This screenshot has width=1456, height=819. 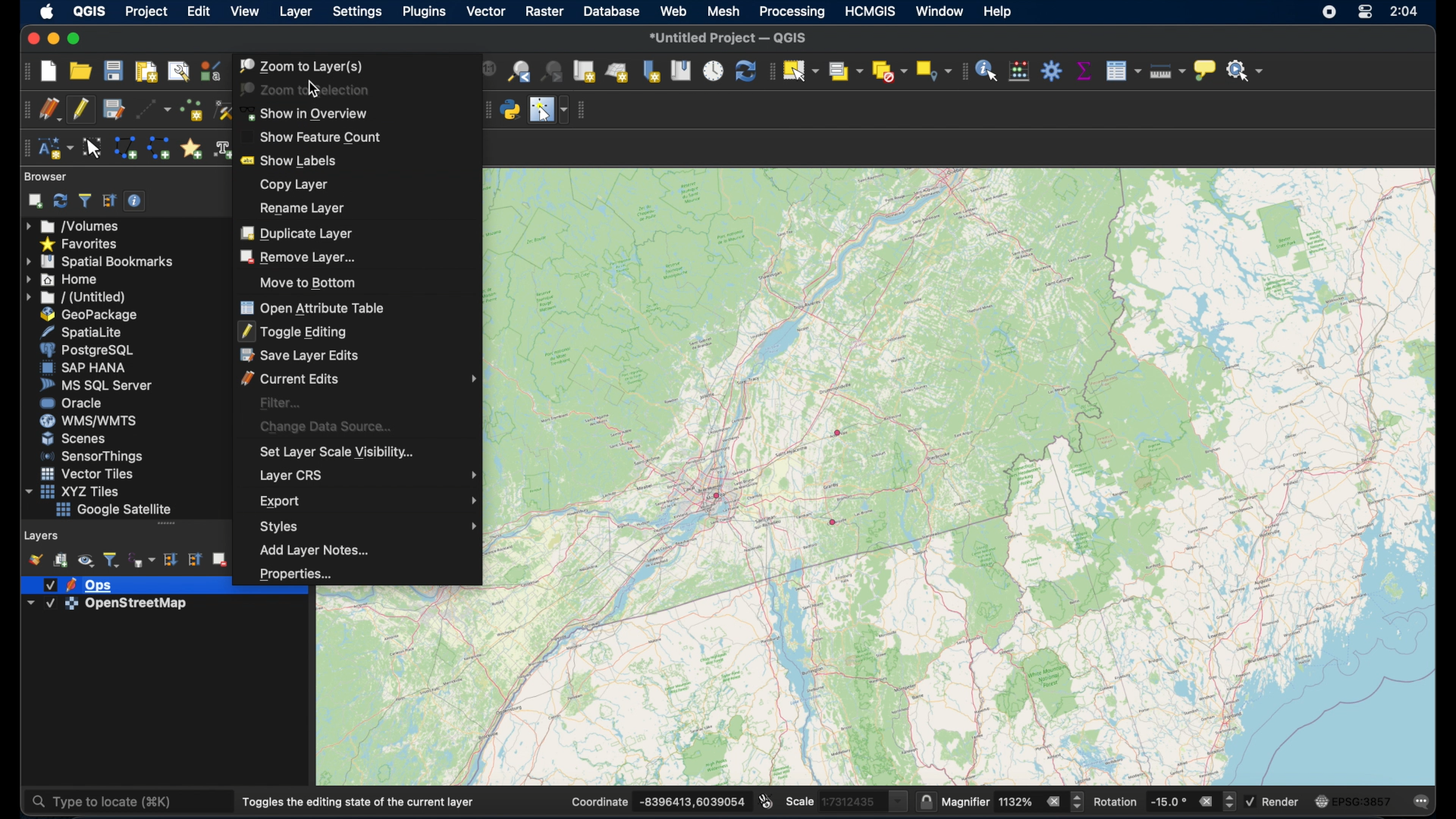 What do you see at coordinates (890, 71) in the screenshot?
I see `deselect features from all layers` at bounding box center [890, 71].